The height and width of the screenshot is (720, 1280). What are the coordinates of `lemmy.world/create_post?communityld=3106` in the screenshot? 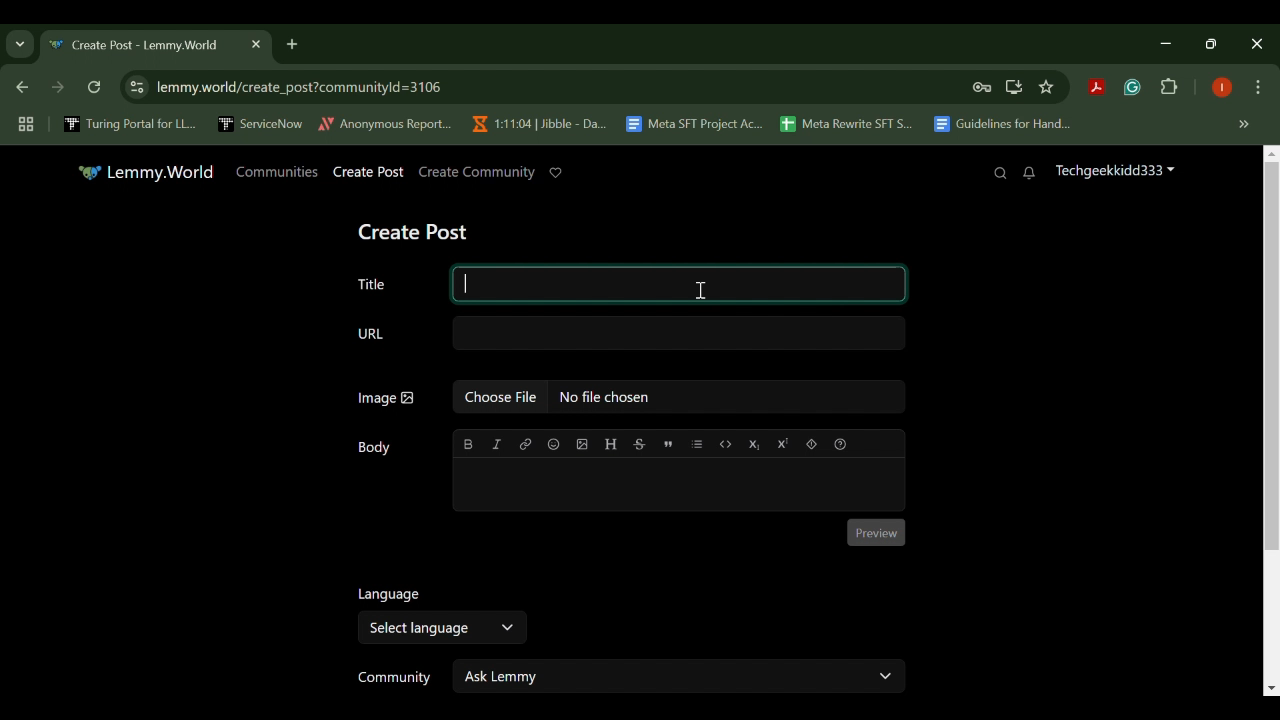 It's located at (295, 85).